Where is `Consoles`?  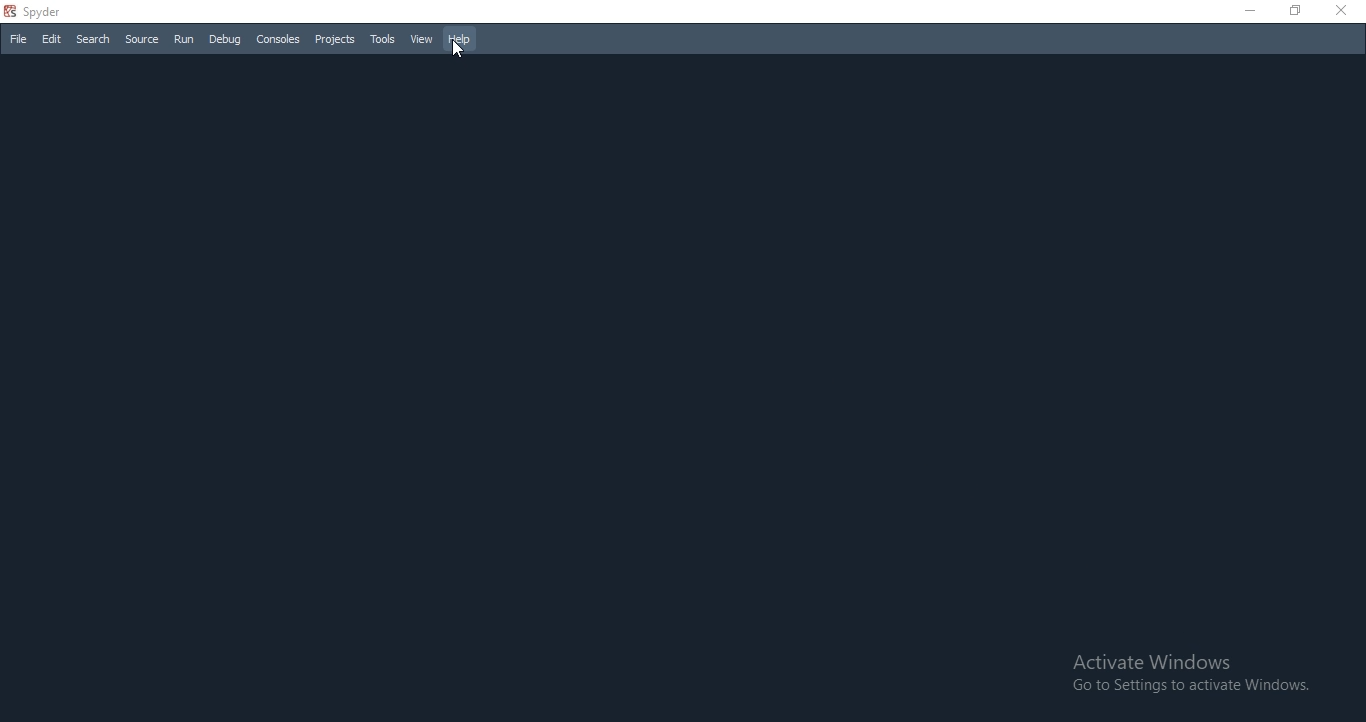 Consoles is located at coordinates (278, 39).